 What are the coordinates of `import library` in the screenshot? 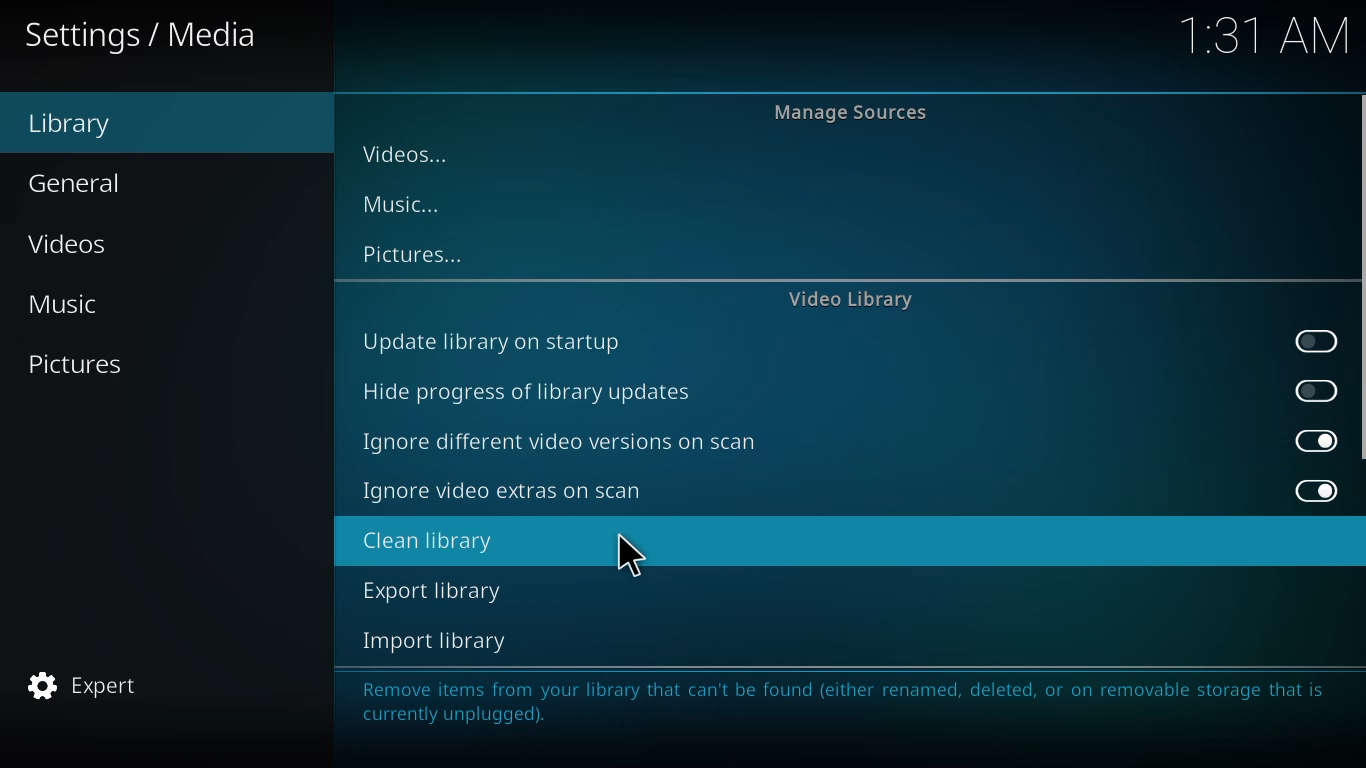 It's located at (436, 641).